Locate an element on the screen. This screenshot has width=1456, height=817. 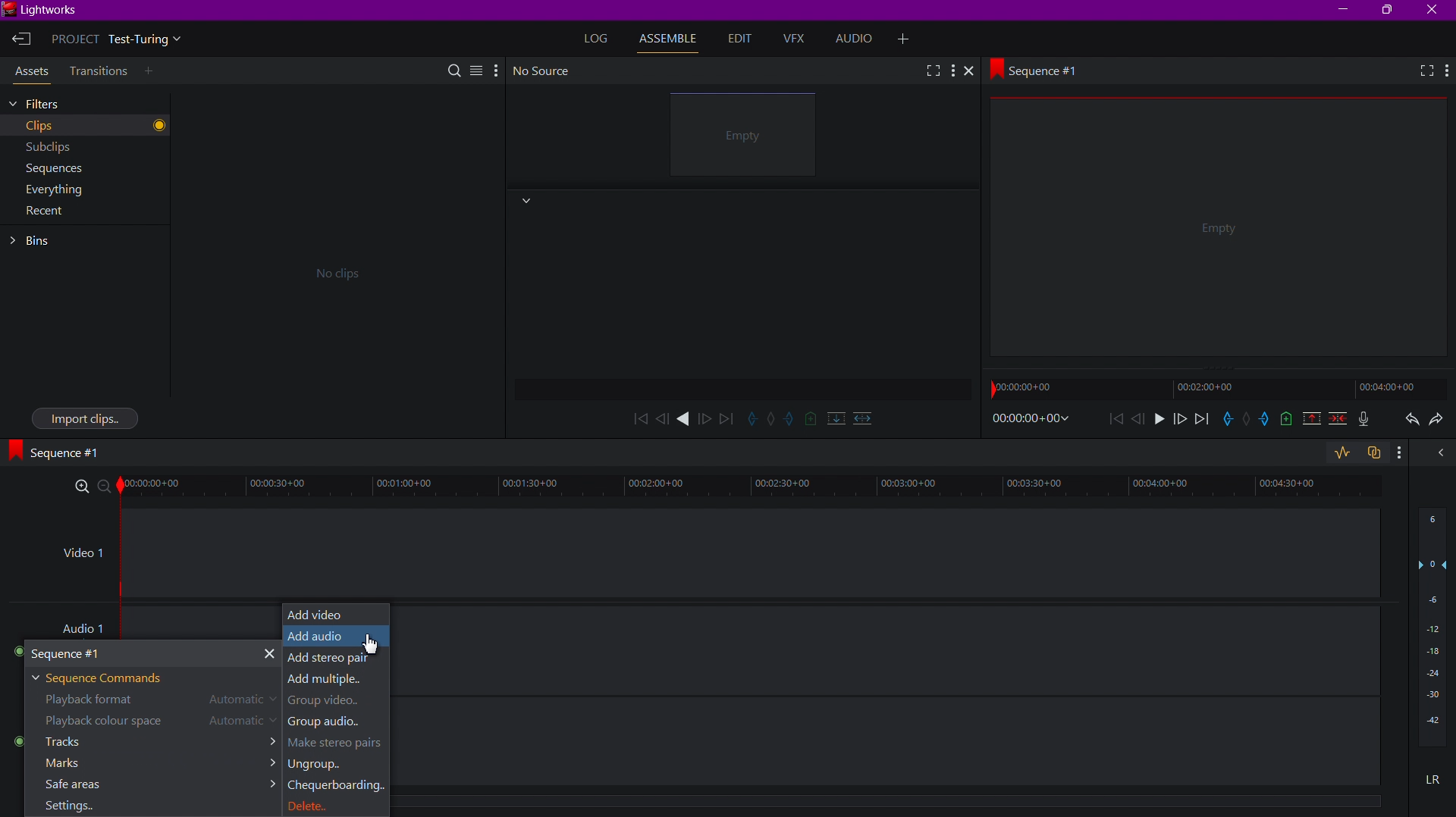
Ungroup is located at coordinates (318, 766).